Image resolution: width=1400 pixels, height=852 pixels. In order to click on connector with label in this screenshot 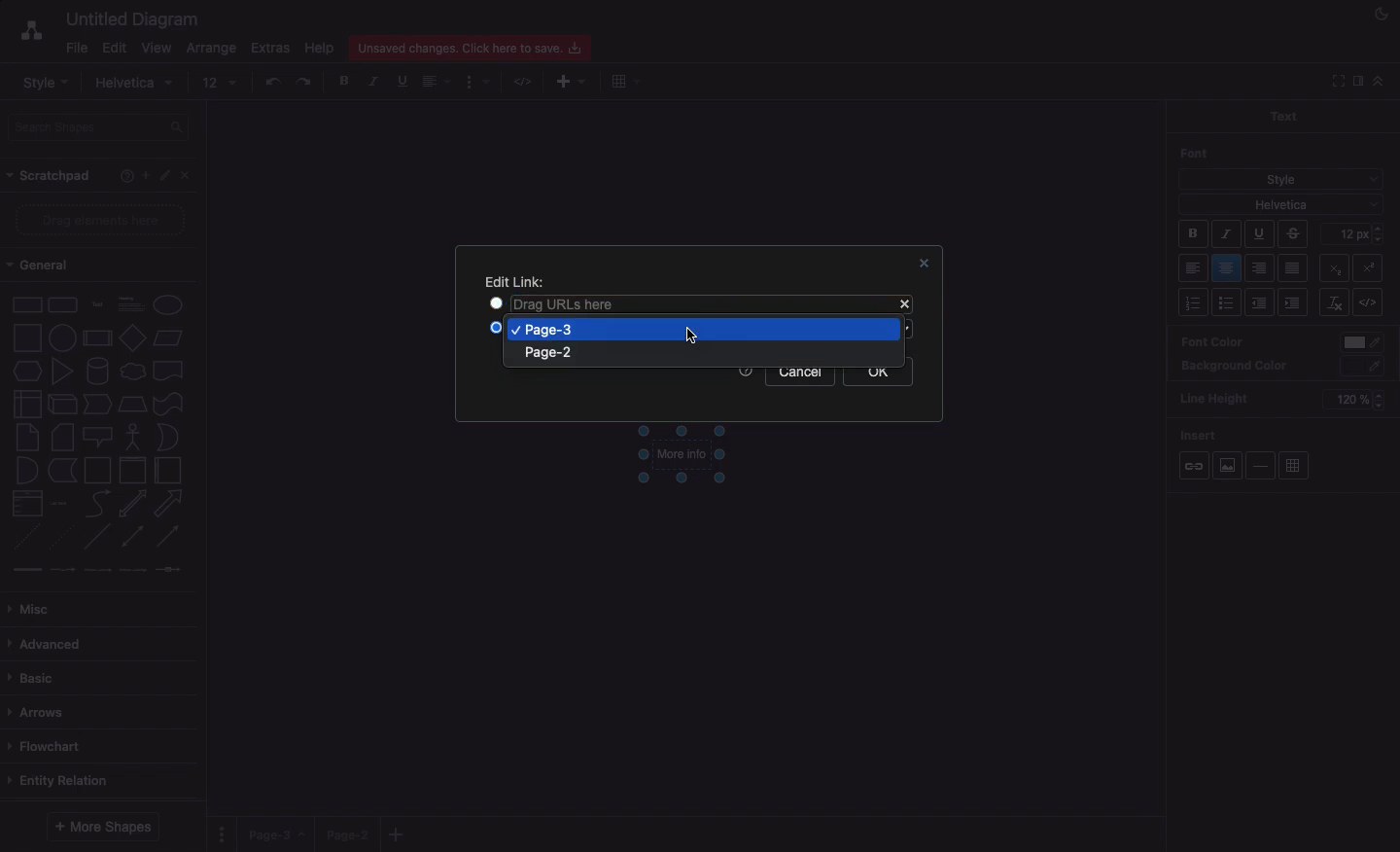, I will do `click(62, 571)`.